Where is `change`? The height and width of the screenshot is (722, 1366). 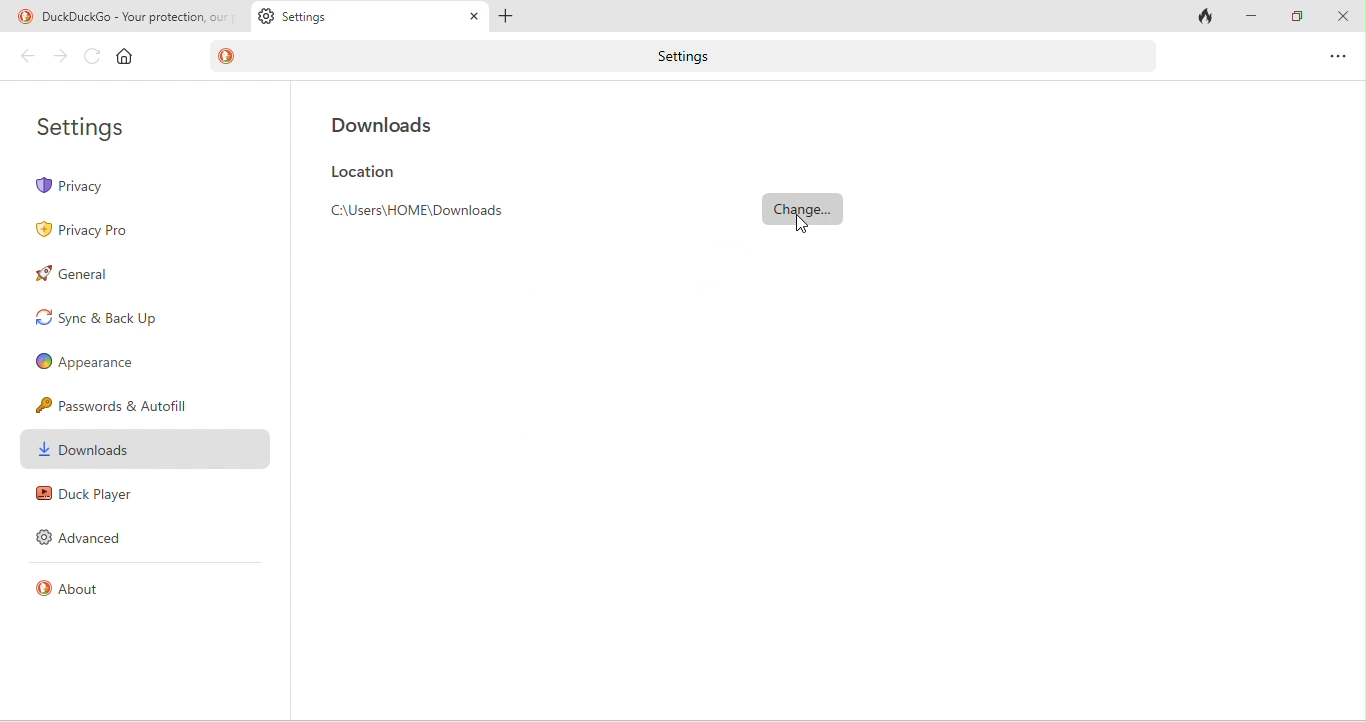
change is located at coordinates (805, 209).